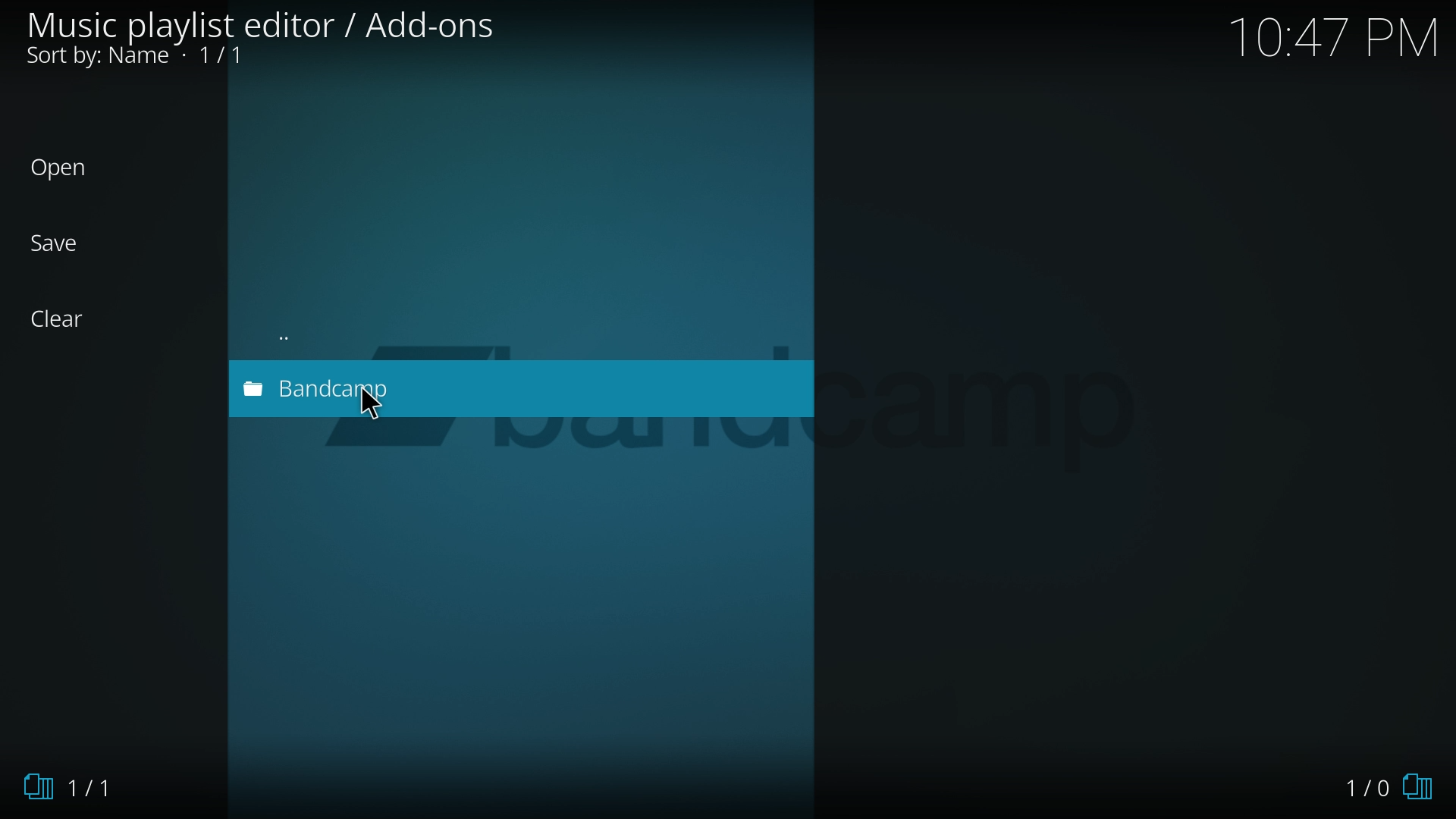  I want to click on 1/0, so click(1385, 786).